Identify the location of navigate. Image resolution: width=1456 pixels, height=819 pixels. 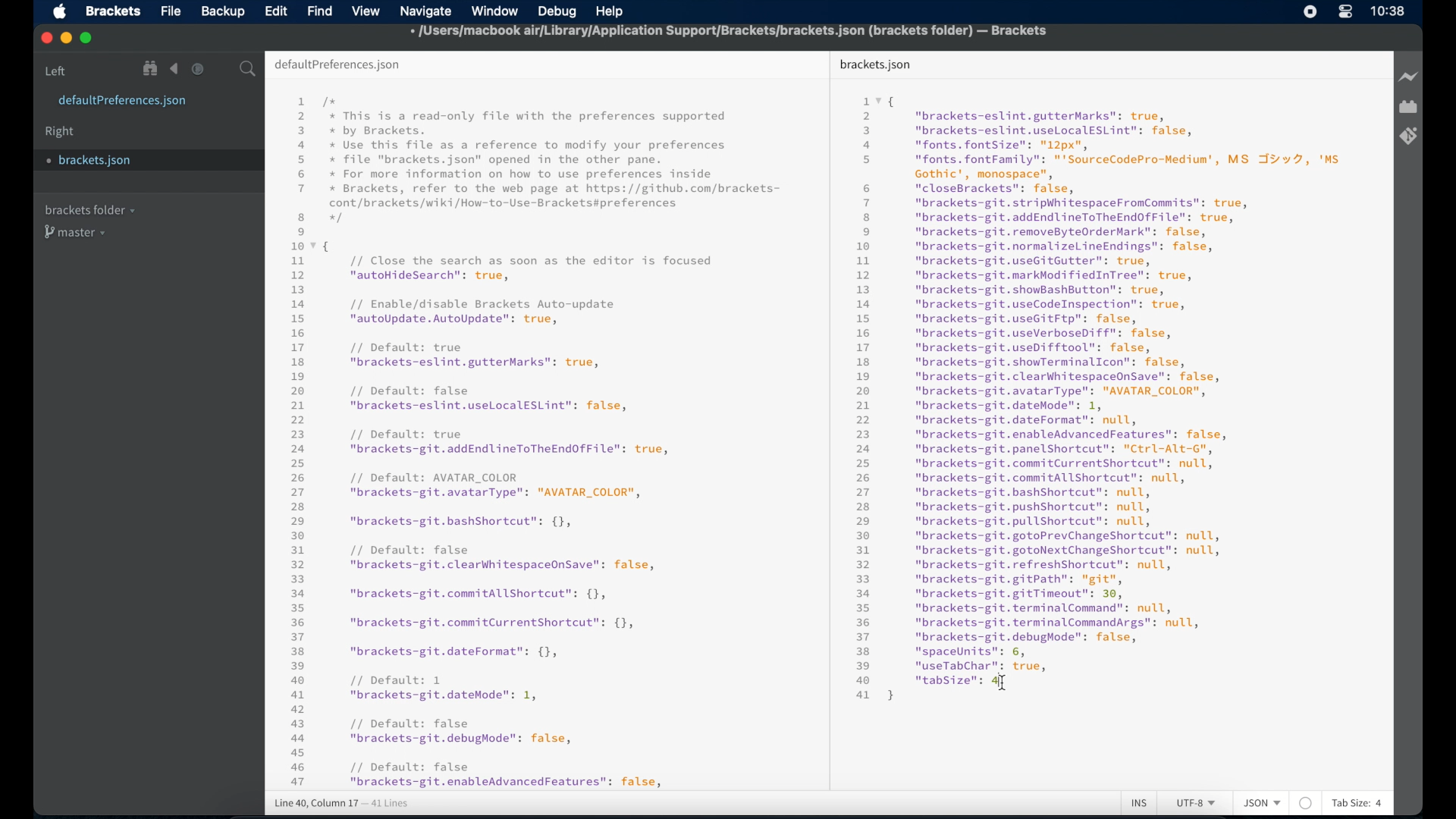
(425, 12).